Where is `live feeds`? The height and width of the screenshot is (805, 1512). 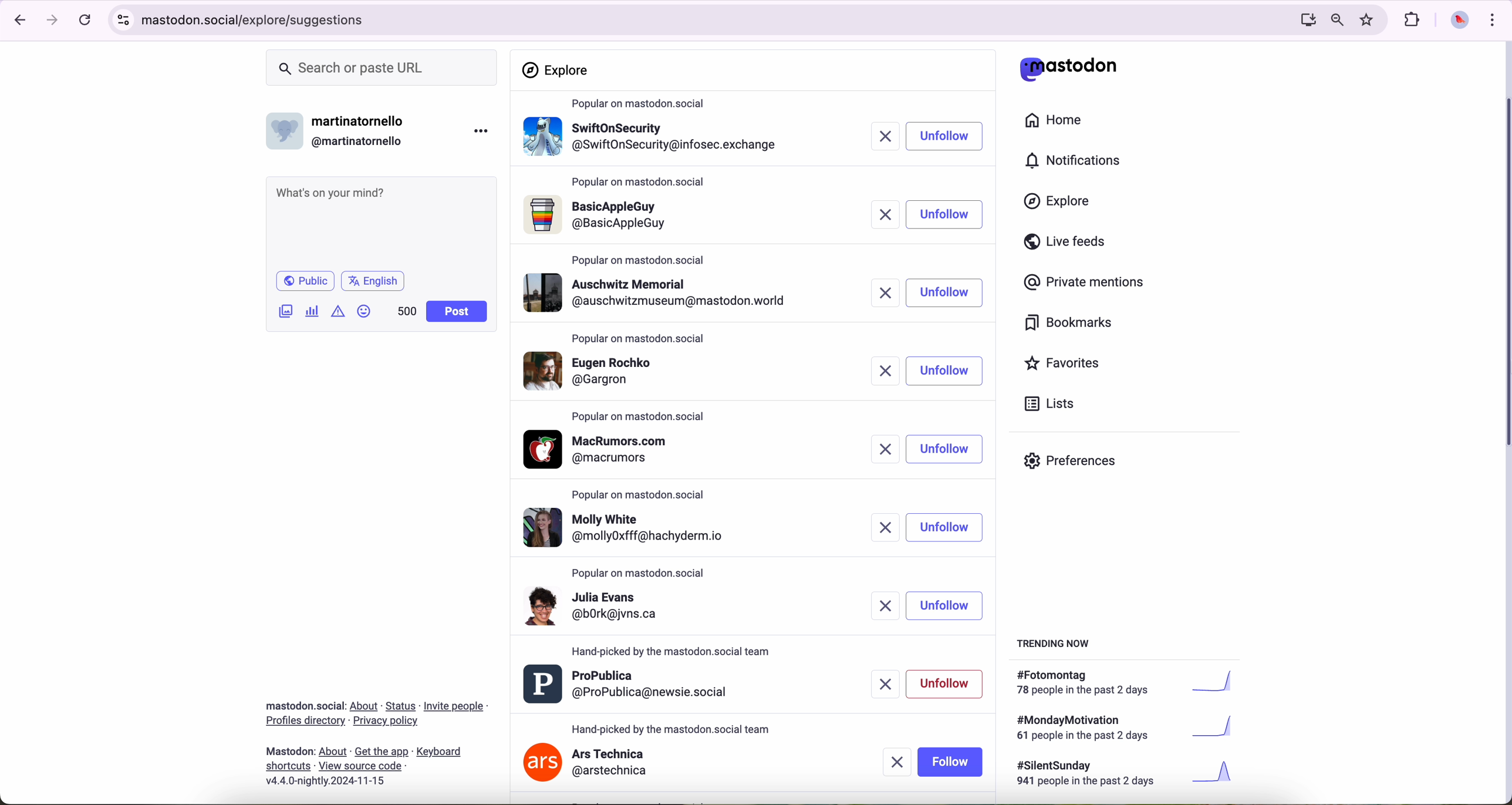
live feeds is located at coordinates (1069, 244).